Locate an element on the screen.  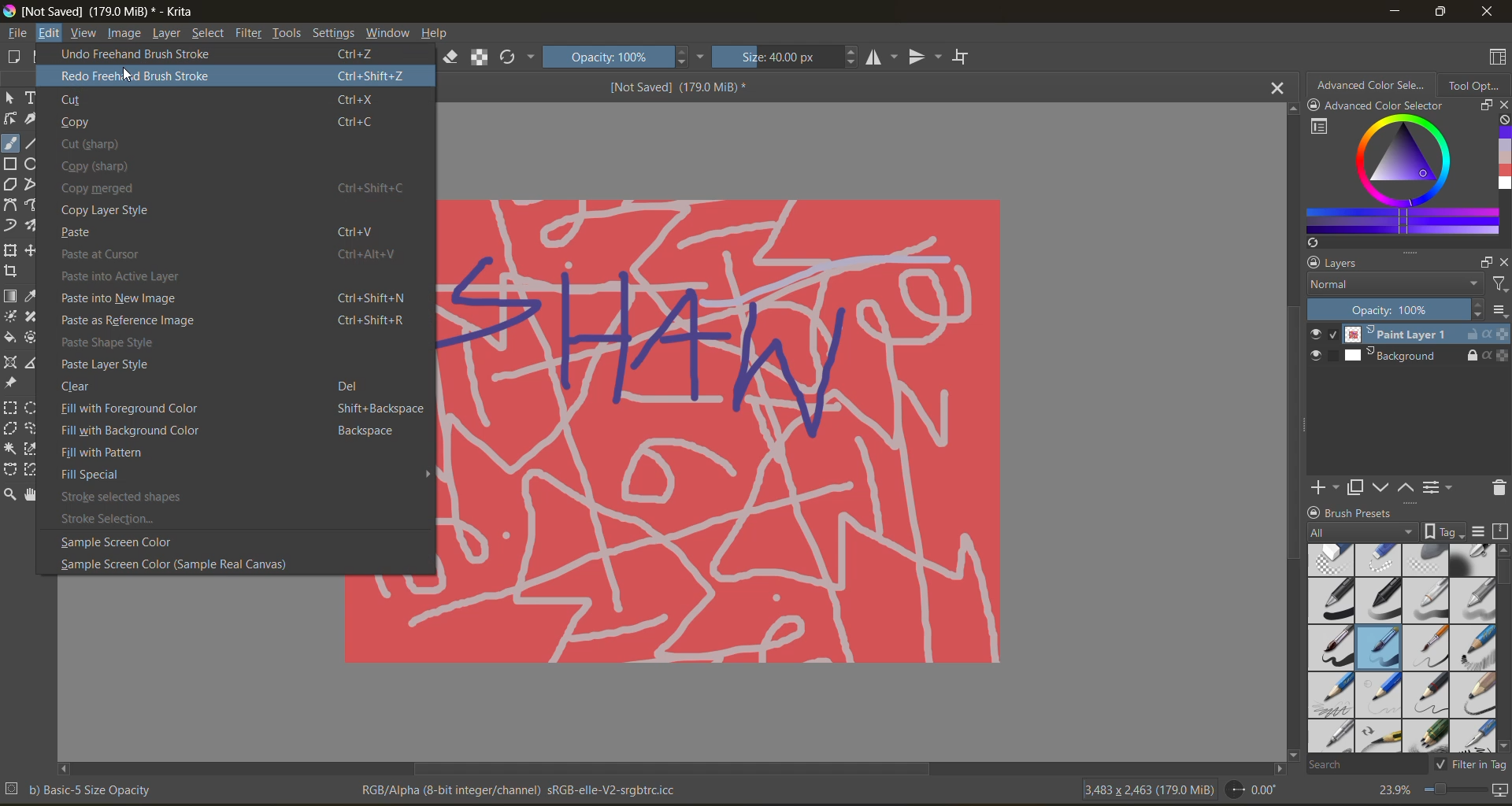
fill with background color    Backspace is located at coordinates (229, 431).